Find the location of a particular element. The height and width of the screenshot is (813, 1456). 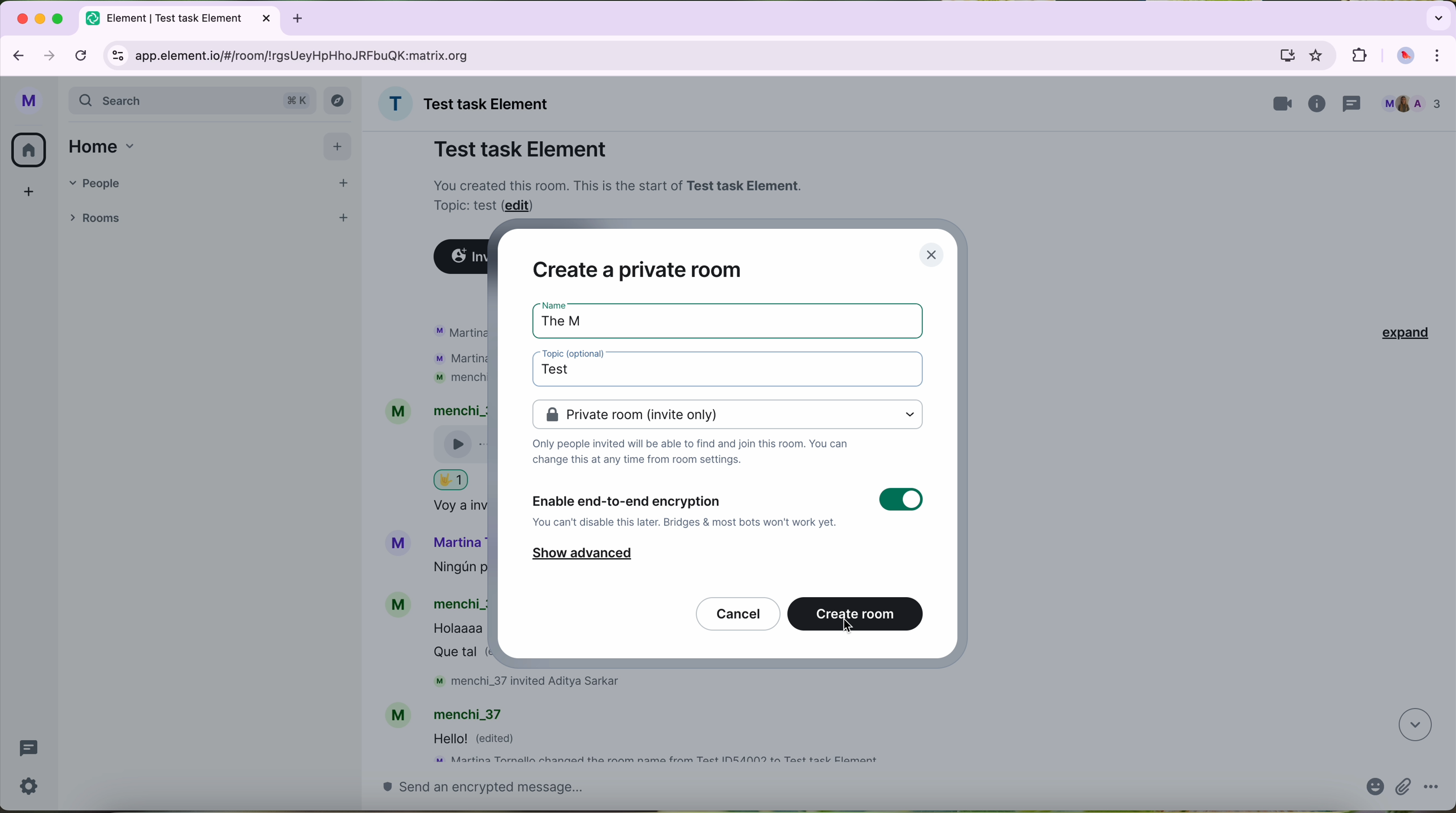

home tab is located at coordinates (106, 146).